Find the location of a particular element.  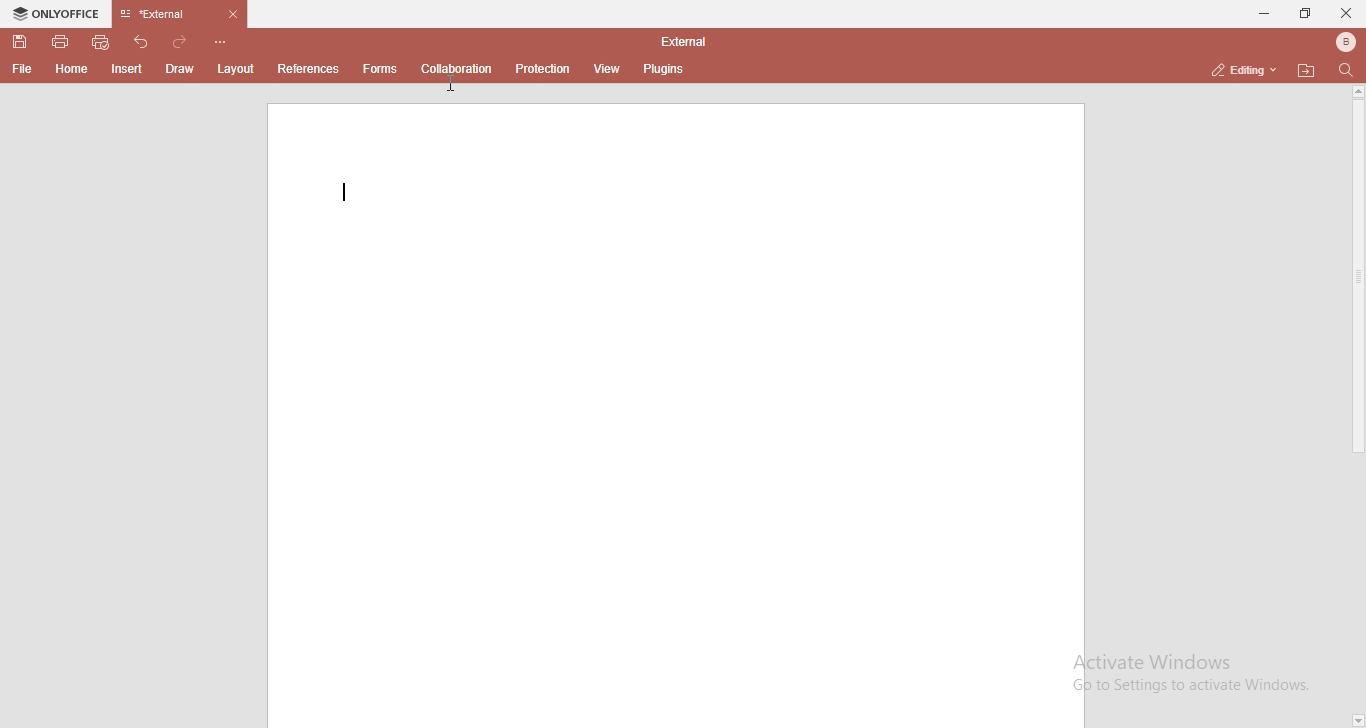

draw is located at coordinates (181, 68).